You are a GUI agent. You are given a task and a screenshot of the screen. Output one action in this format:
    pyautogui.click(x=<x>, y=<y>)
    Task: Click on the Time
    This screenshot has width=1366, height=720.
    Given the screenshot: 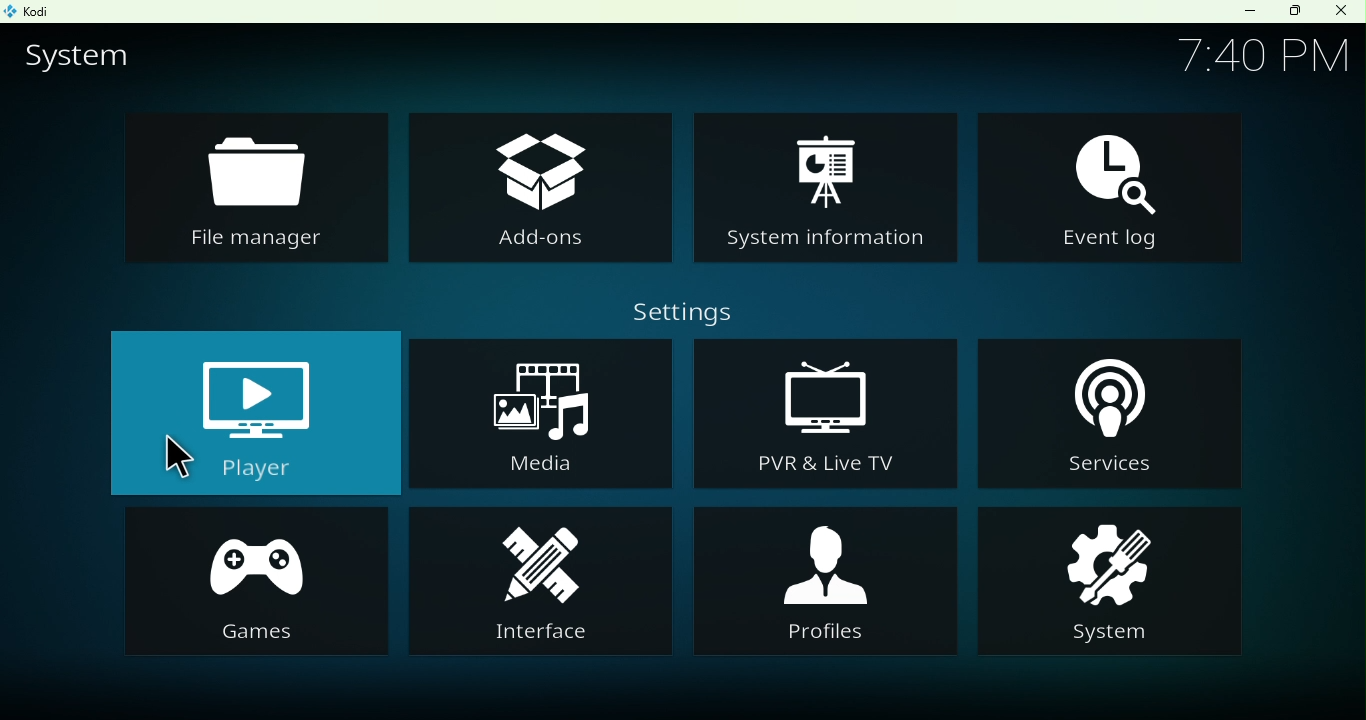 What is the action you would take?
    pyautogui.click(x=1262, y=53)
    